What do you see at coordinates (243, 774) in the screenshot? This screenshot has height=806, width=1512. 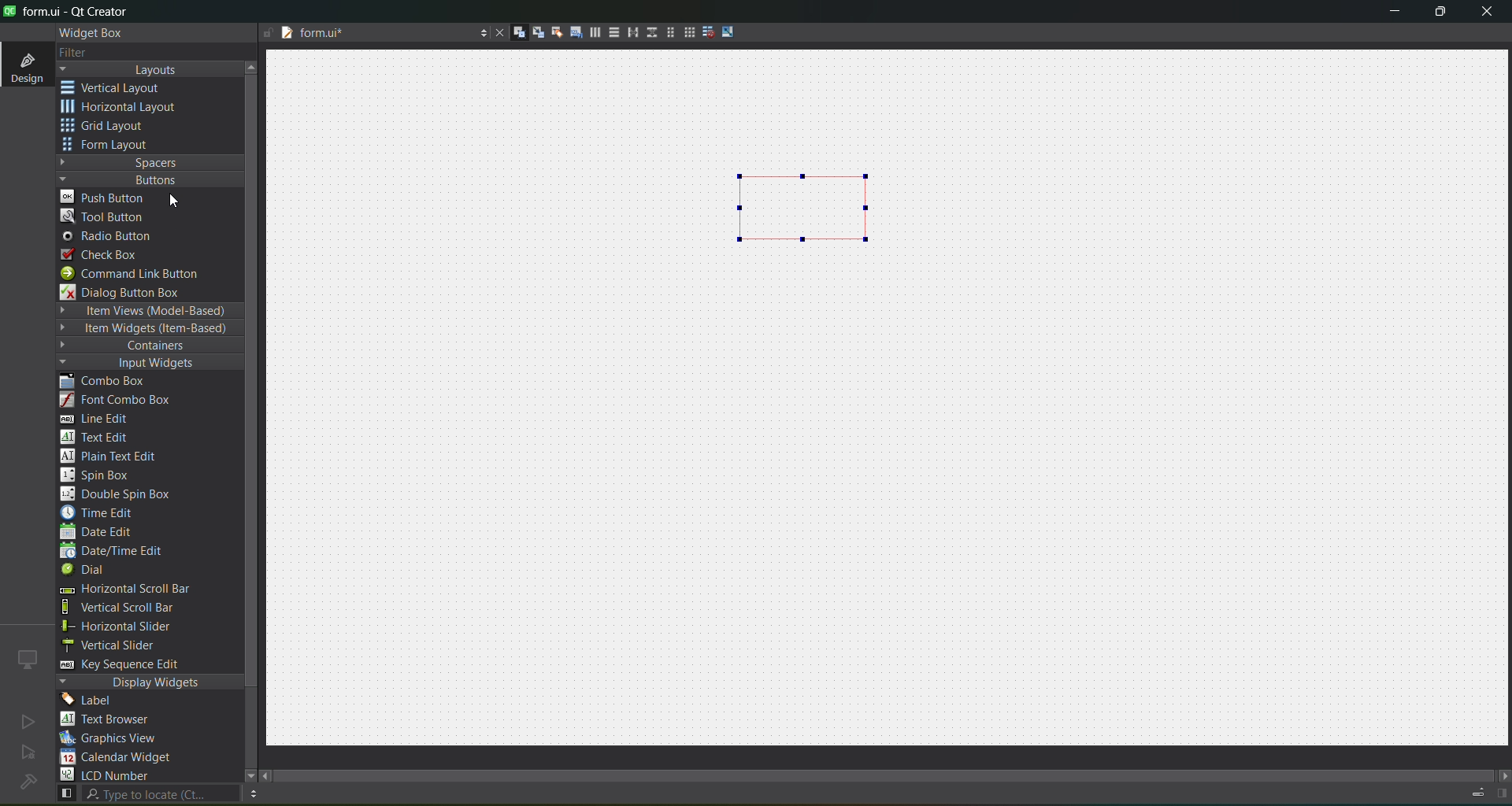 I see `move down` at bounding box center [243, 774].